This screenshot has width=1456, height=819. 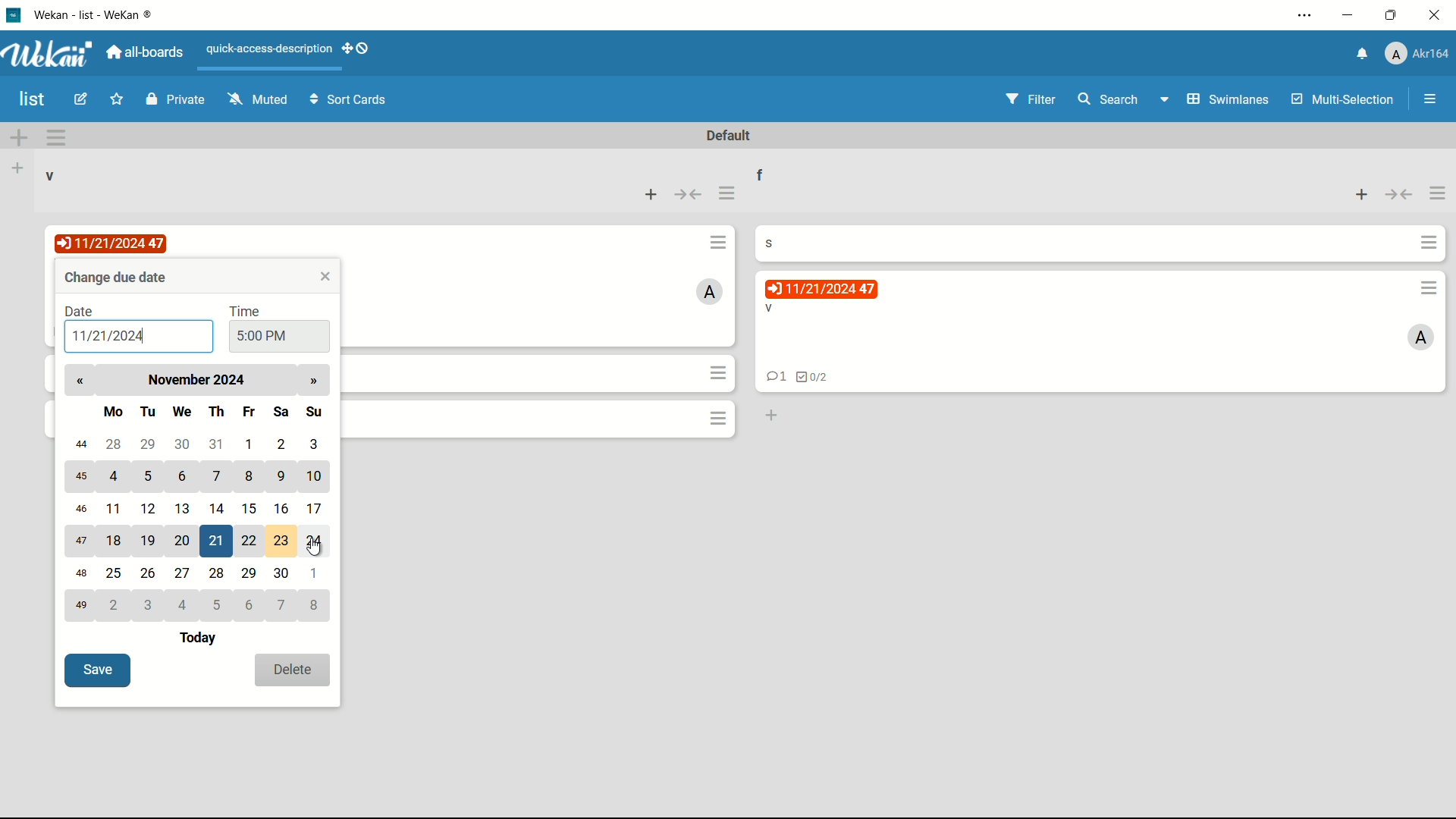 What do you see at coordinates (730, 136) in the screenshot?
I see `default` at bounding box center [730, 136].